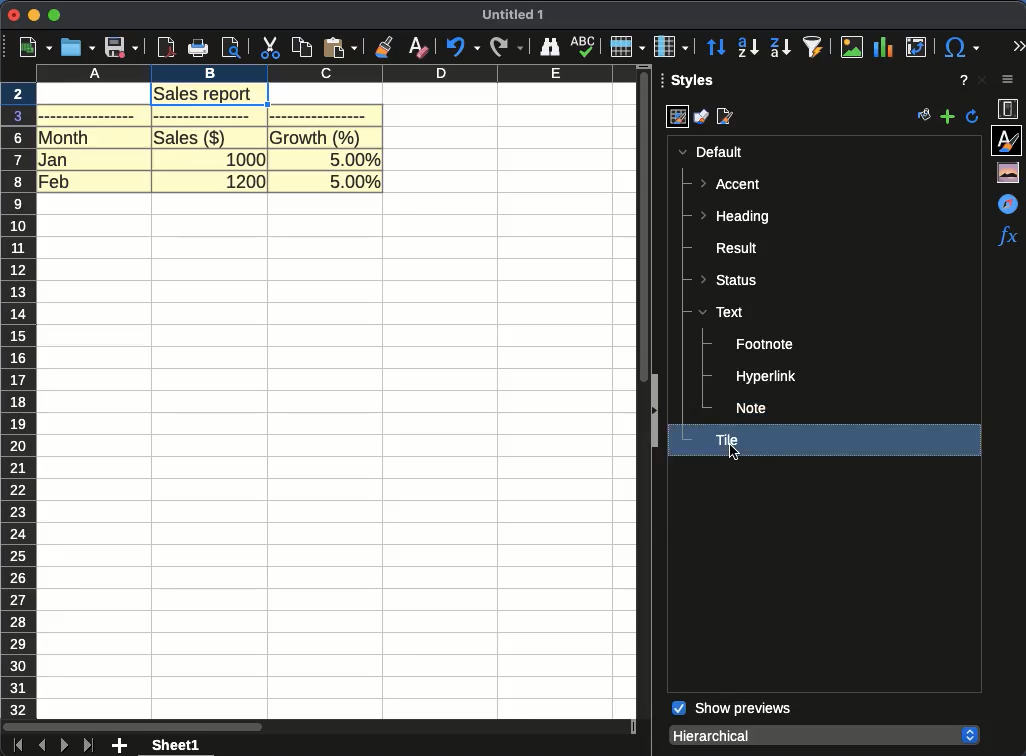  Describe the element at coordinates (701, 119) in the screenshot. I see `drawing styles` at that location.